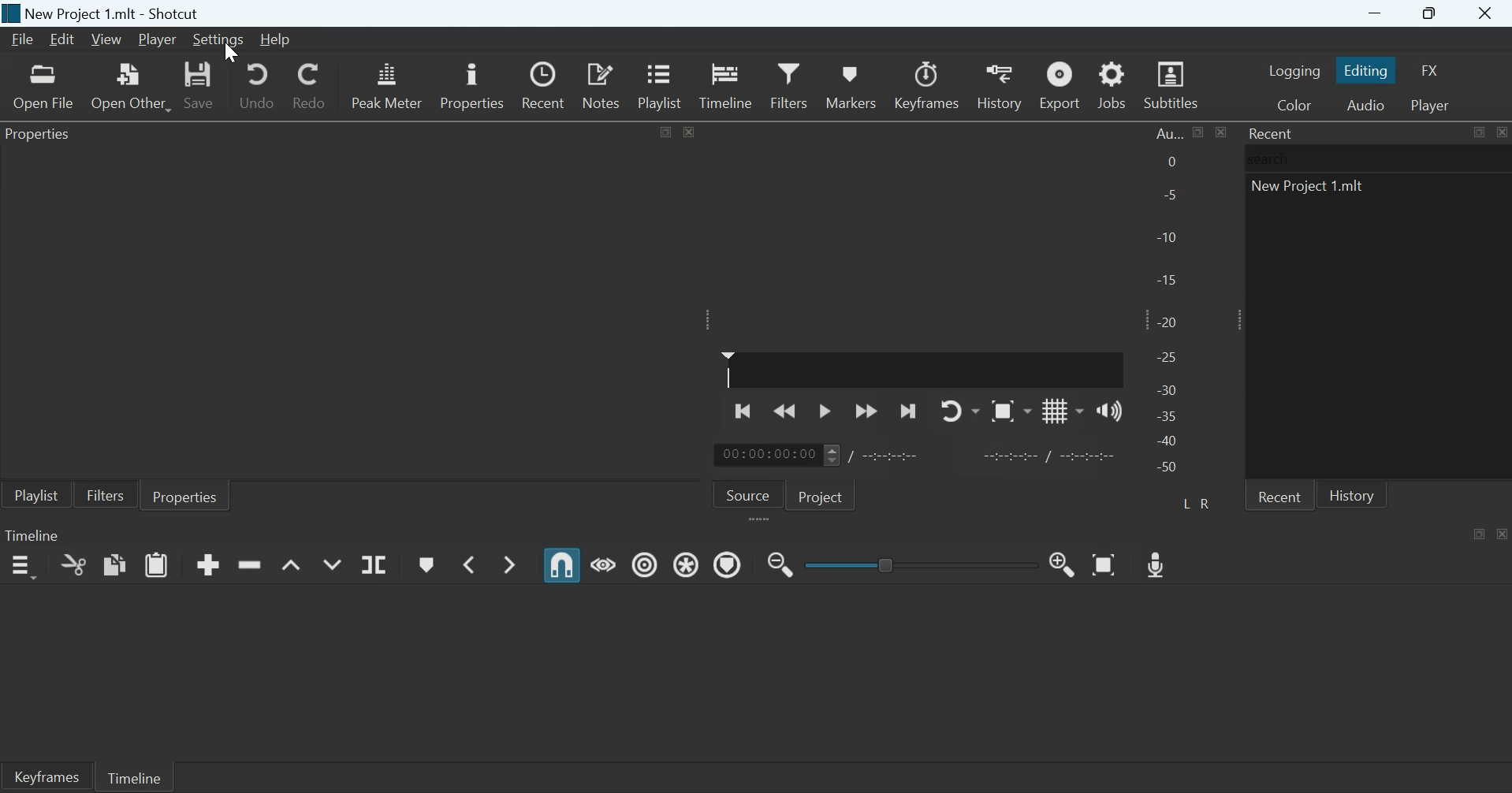 Image resolution: width=1512 pixels, height=793 pixels. I want to click on Cut, so click(73, 564).